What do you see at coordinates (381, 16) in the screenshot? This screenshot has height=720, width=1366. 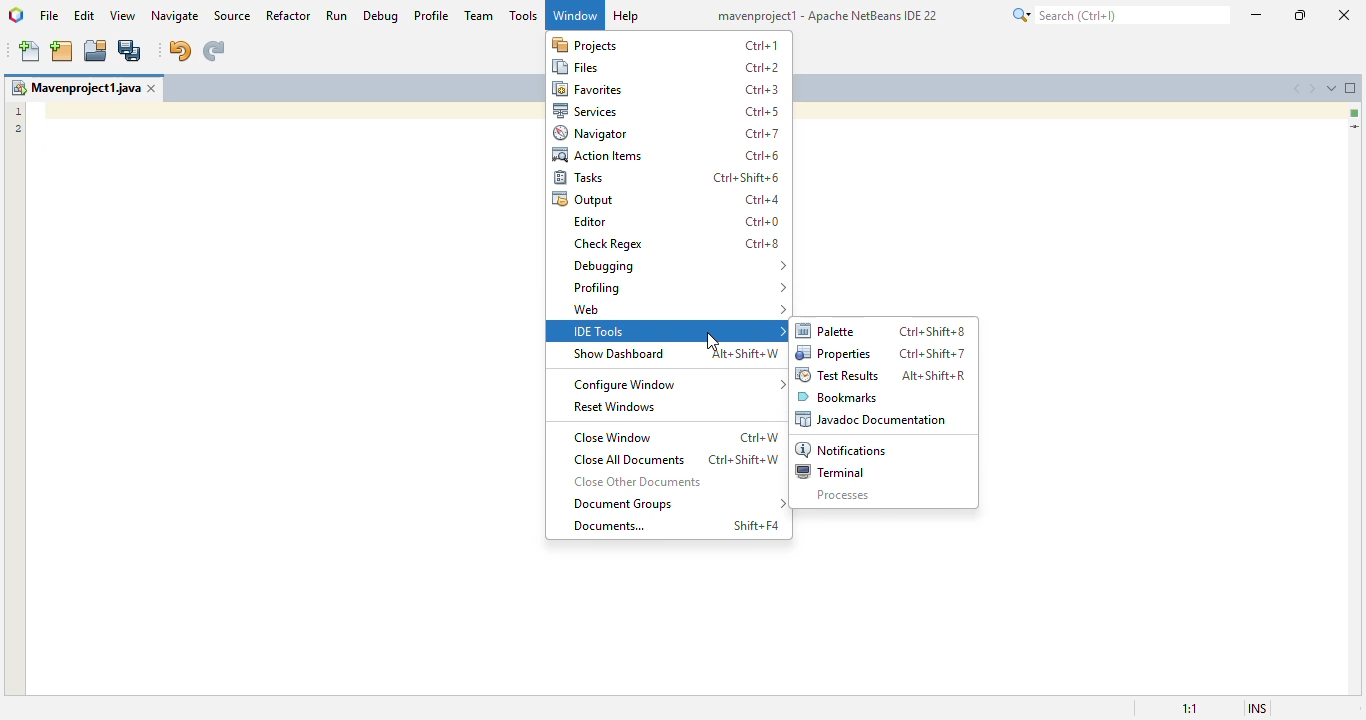 I see `debug` at bounding box center [381, 16].